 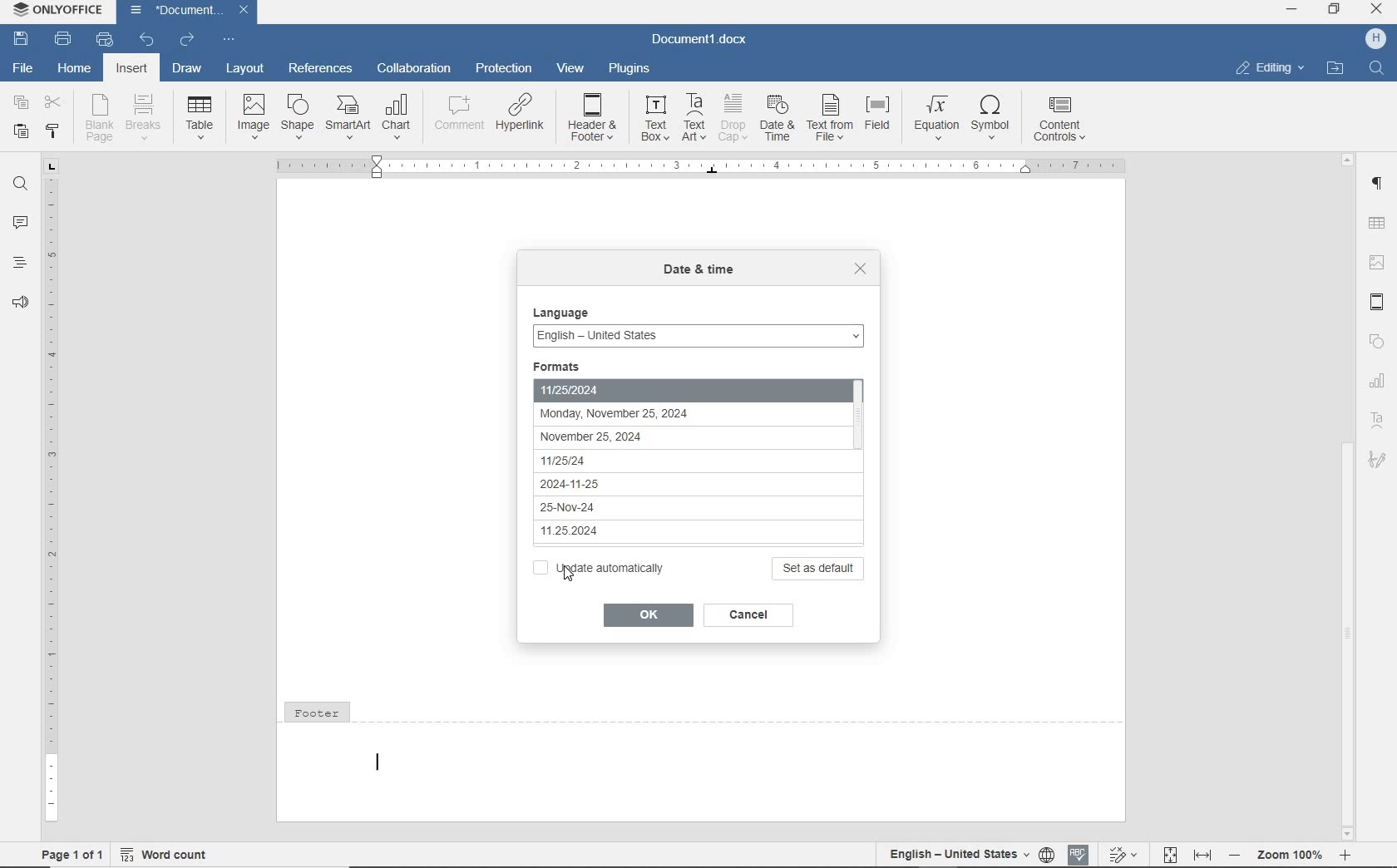 I want to click on table, so click(x=201, y=115).